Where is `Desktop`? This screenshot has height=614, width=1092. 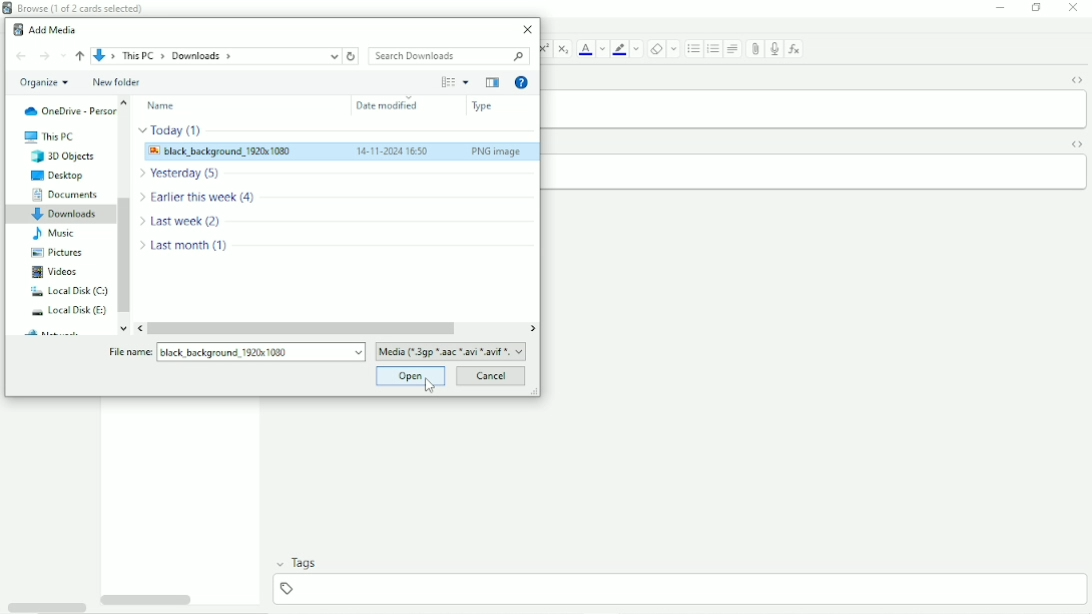 Desktop is located at coordinates (61, 175).